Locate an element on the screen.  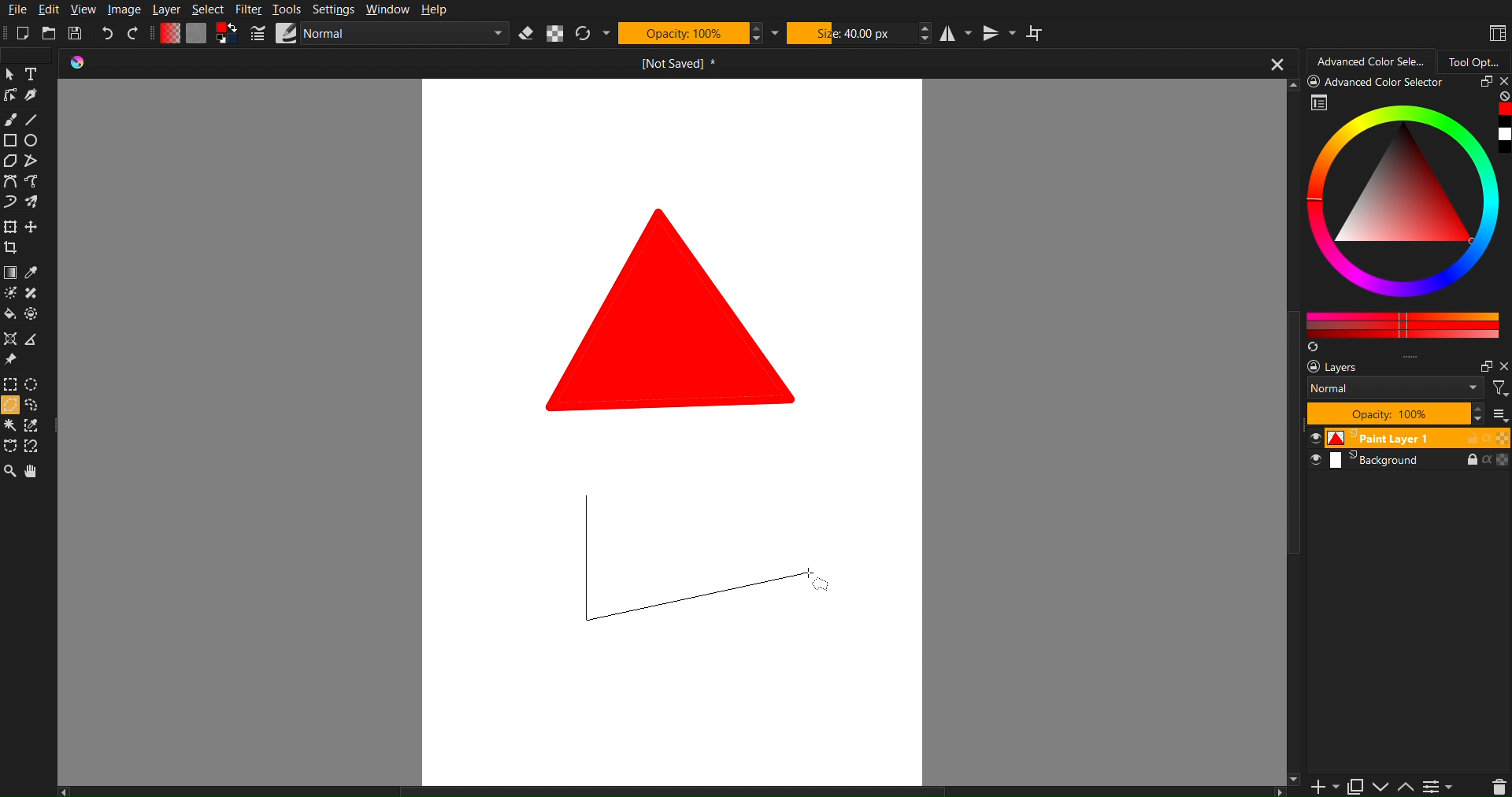
Line Structure is located at coordinates (691, 562).